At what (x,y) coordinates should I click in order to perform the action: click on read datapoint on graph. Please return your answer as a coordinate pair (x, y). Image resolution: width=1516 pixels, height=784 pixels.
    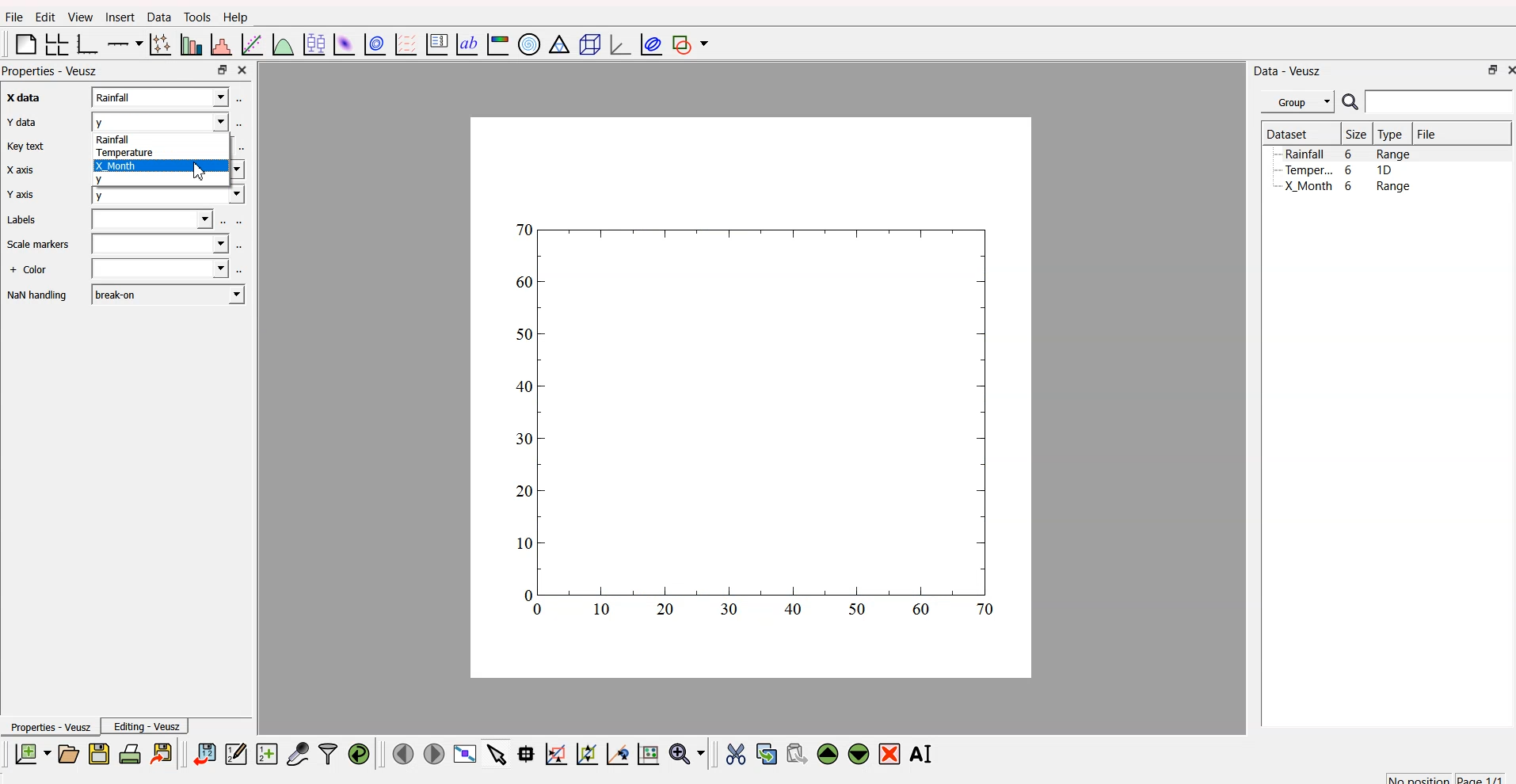
    Looking at the image, I should click on (524, 753).